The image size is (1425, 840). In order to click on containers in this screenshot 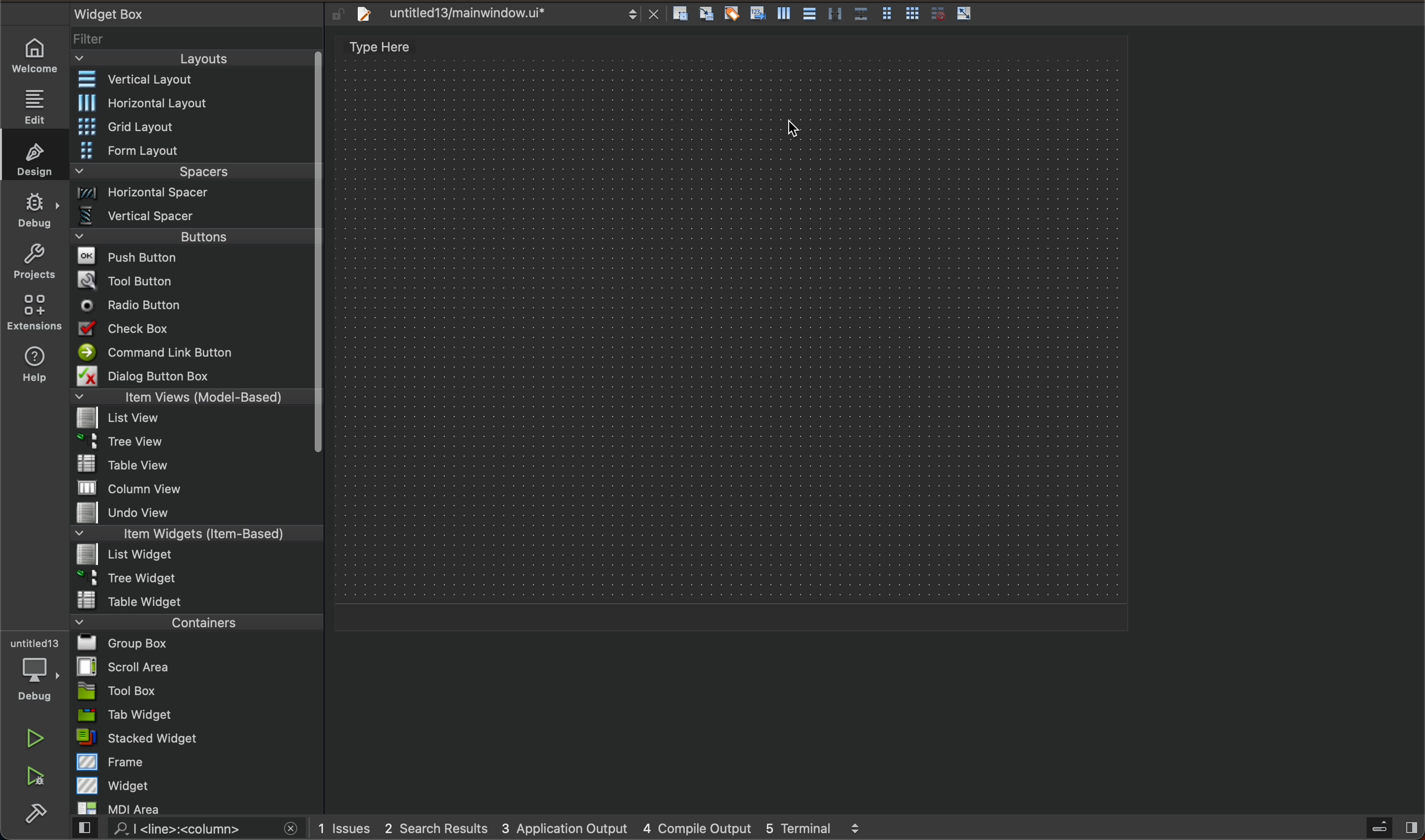, I will do `click(196, 621)`.